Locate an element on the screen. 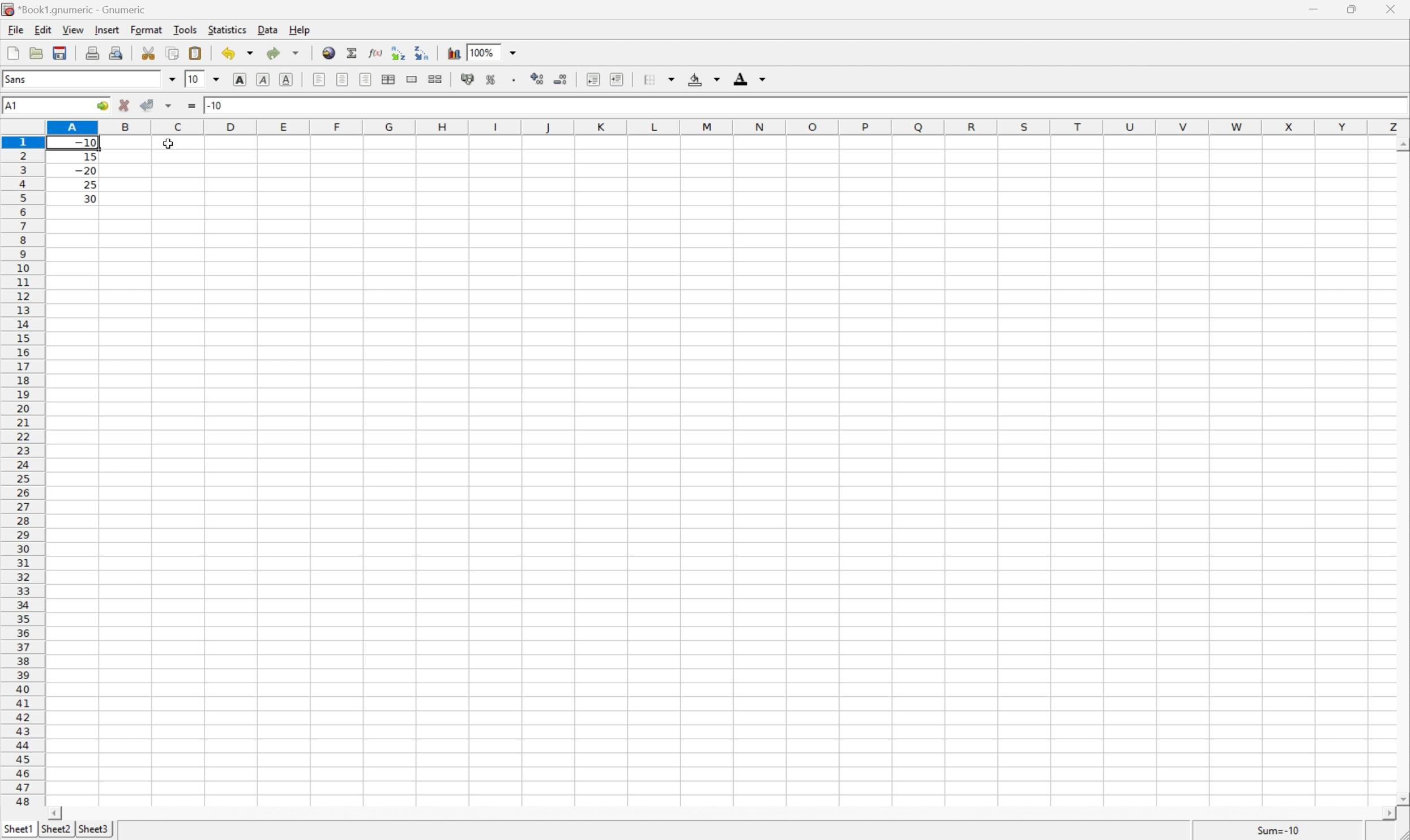  Drop Down is located at coordinates (218, 78).